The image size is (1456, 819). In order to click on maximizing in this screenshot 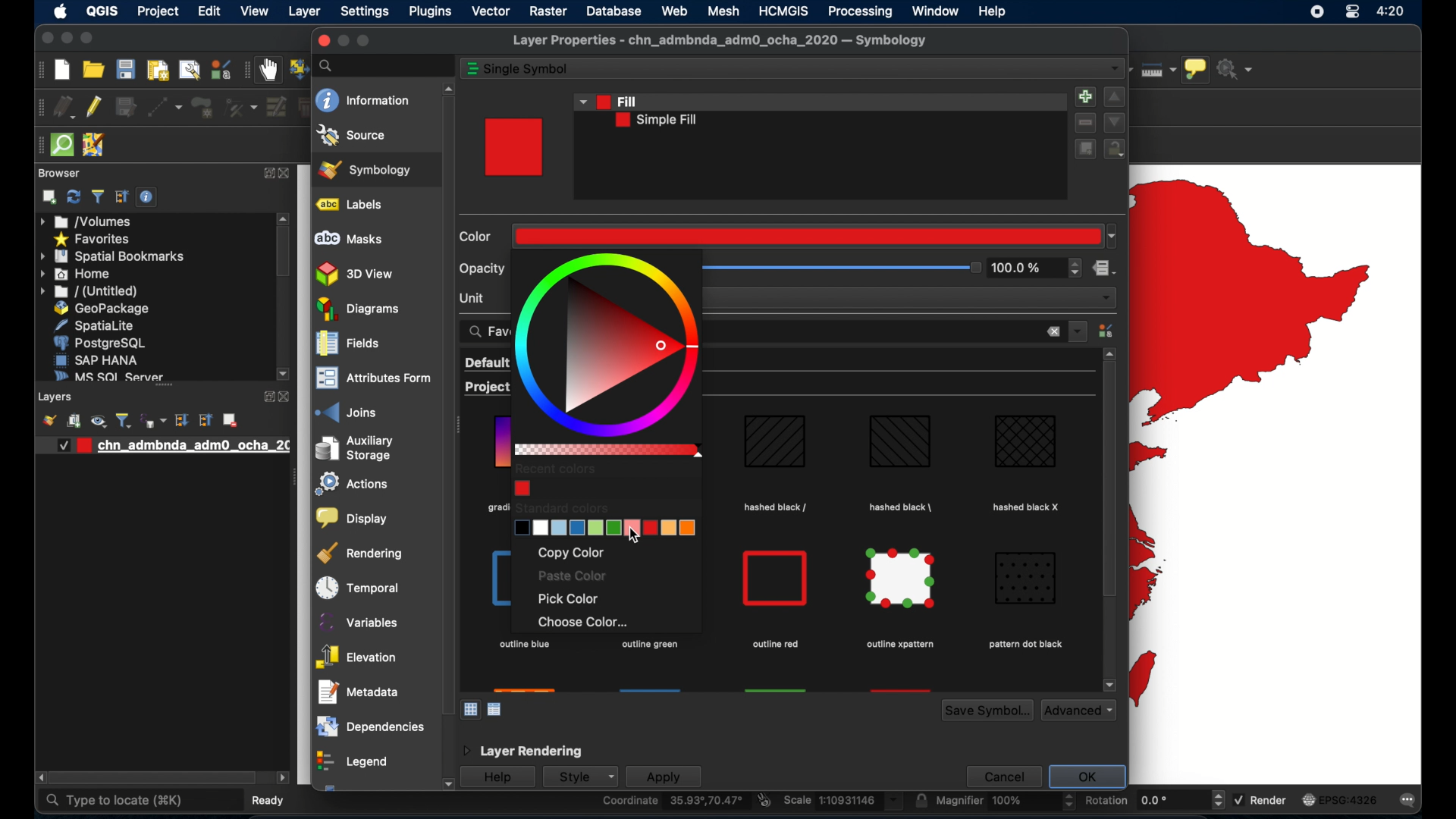, I will do `click(88, 39)`.